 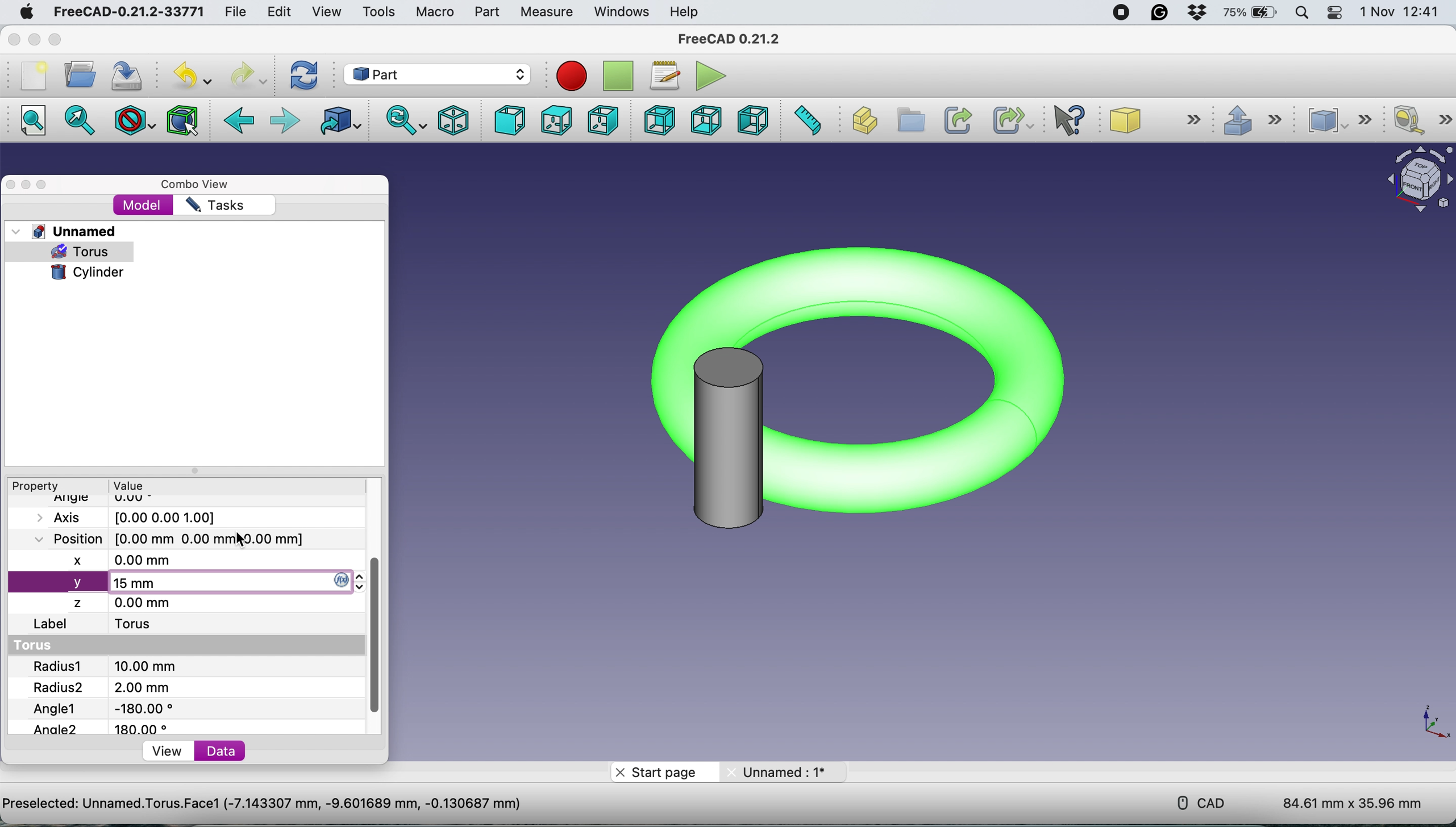 What do you see at coordinates (168, 751) in the screenshot?
I see `view` at bounding box center [168, 751].